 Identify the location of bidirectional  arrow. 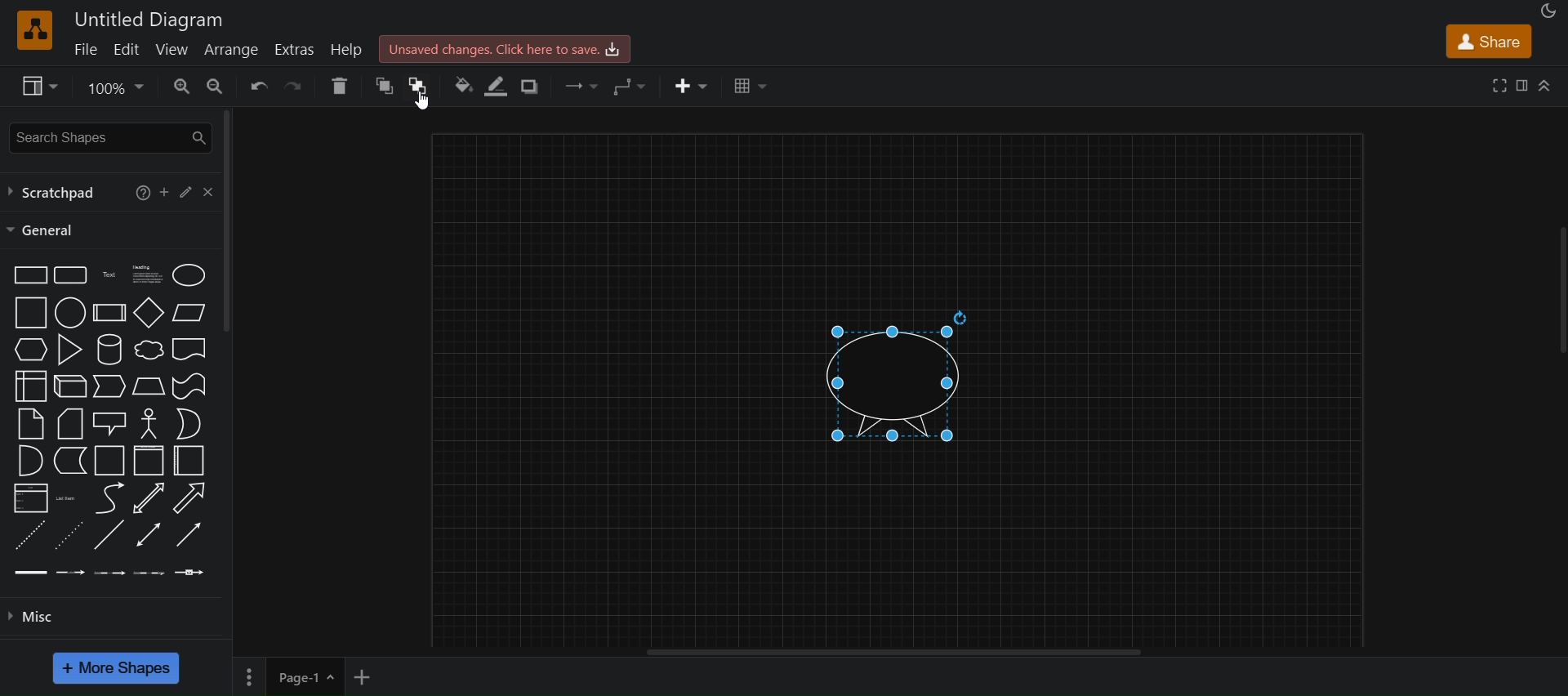
(148, 497).